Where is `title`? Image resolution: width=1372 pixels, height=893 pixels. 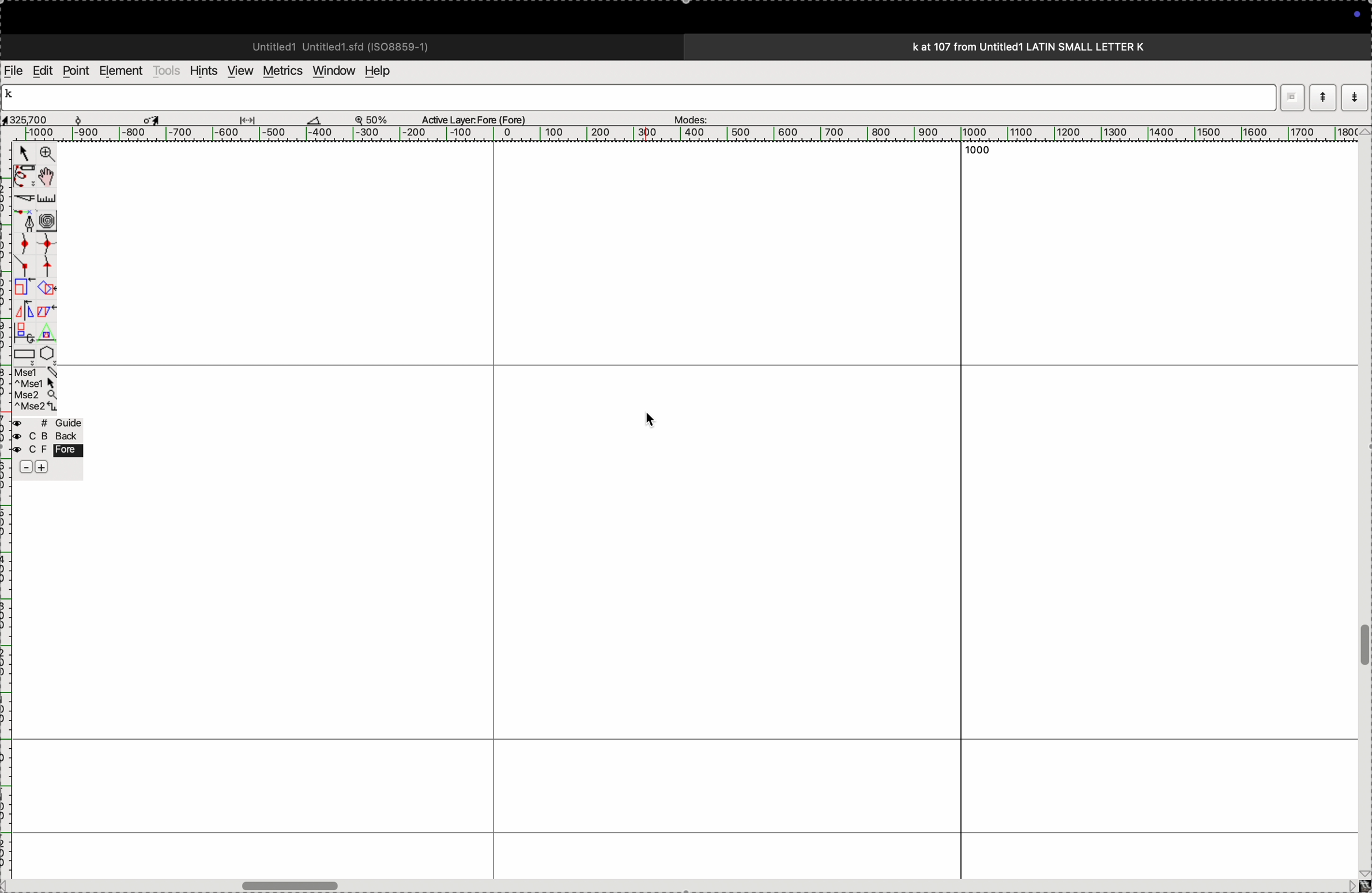 title is located at coordinates (1060, 46).